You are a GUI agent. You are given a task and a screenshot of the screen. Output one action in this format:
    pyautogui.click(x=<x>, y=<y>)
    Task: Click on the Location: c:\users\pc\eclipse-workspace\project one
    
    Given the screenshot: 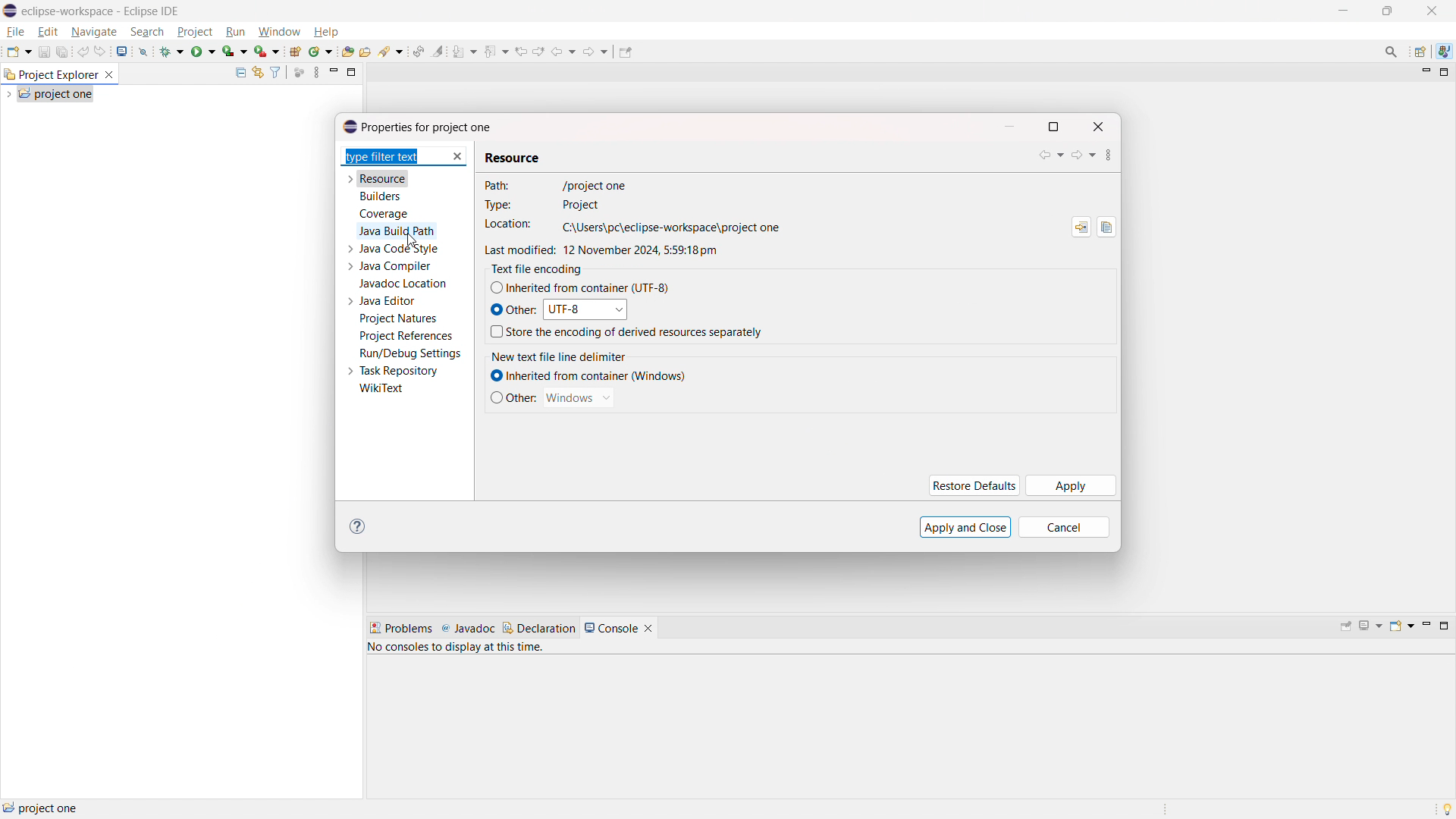 What is the action you would take?
    pyautogui.click(x=627, y=226)
    